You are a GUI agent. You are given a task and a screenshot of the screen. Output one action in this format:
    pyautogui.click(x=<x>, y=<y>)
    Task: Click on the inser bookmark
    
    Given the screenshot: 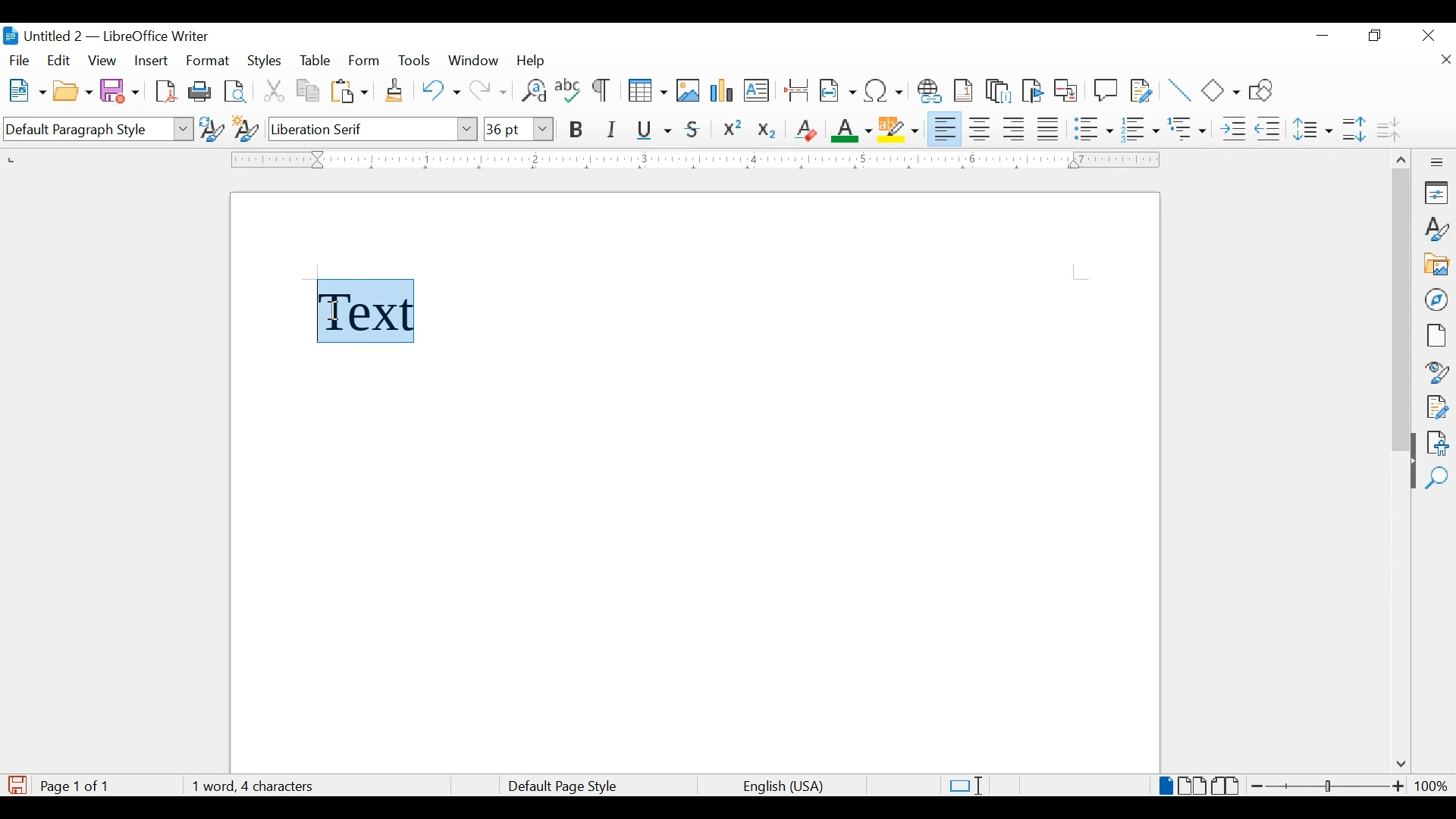 What is the action you would take?
    pyautogui.click(x=1032, y=91)
    